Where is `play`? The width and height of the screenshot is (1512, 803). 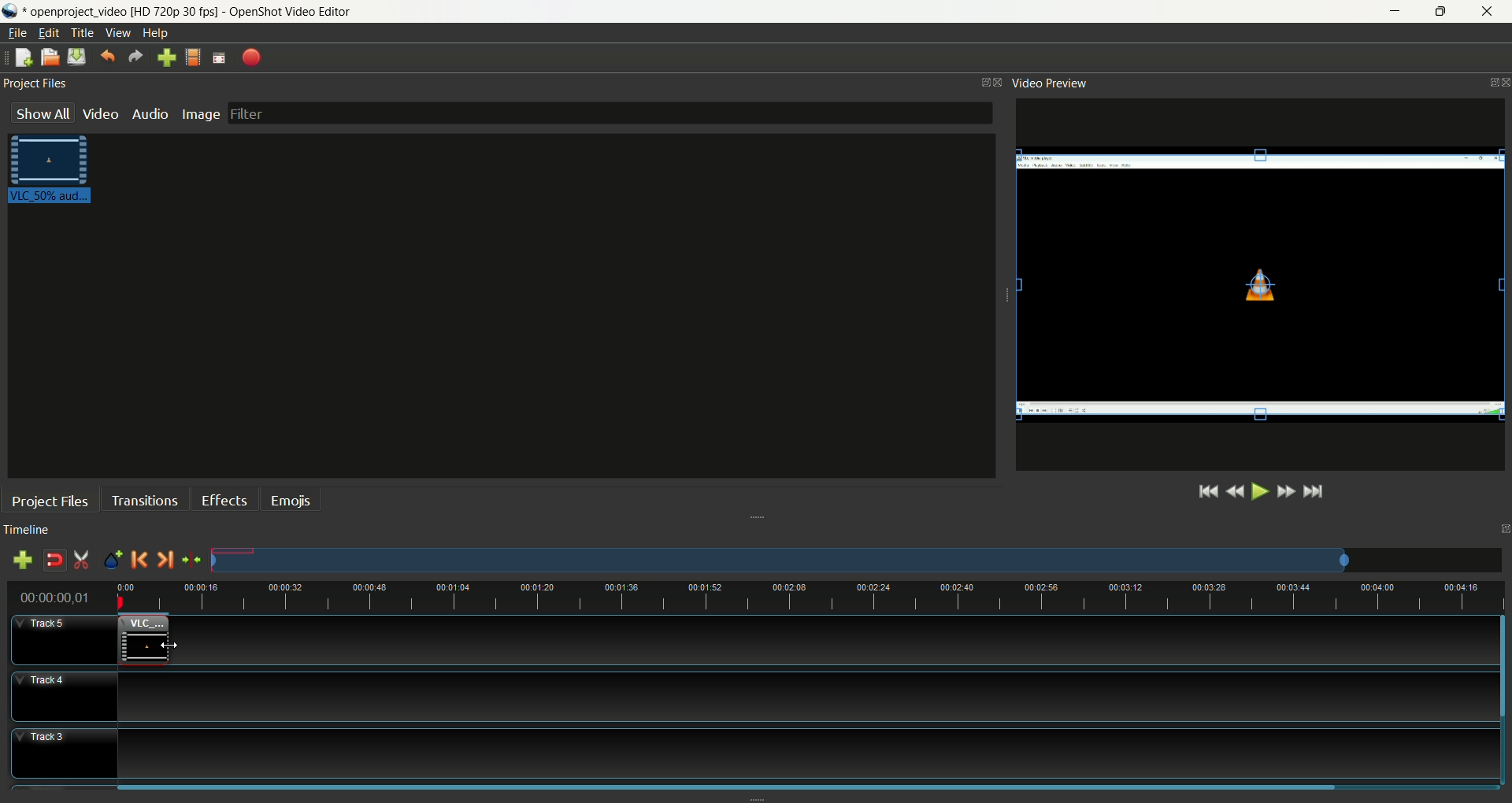 play is located at coordinates (1259, 492).